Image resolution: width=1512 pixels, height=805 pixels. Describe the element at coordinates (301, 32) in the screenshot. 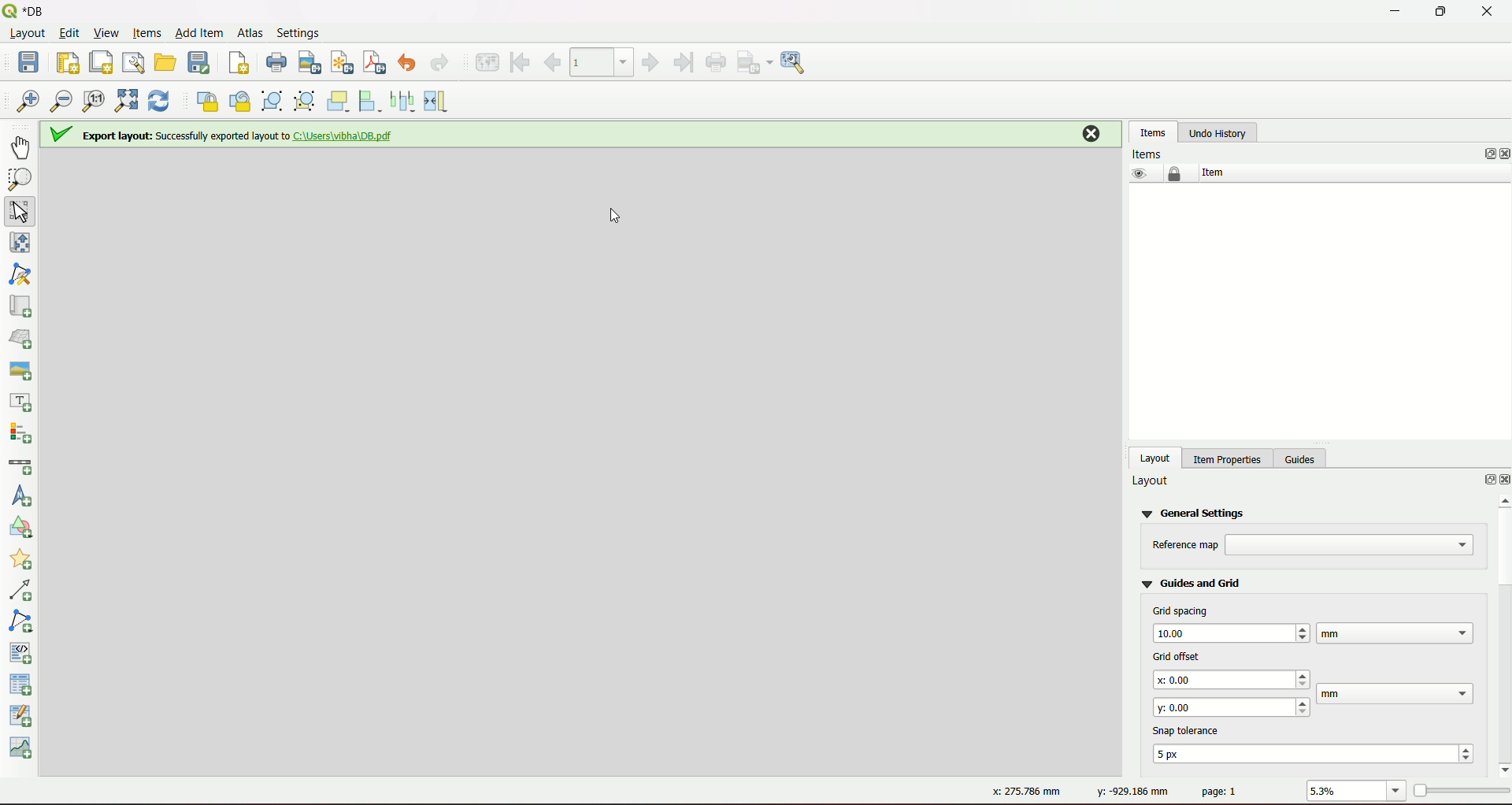

I see `Settings` at that location.